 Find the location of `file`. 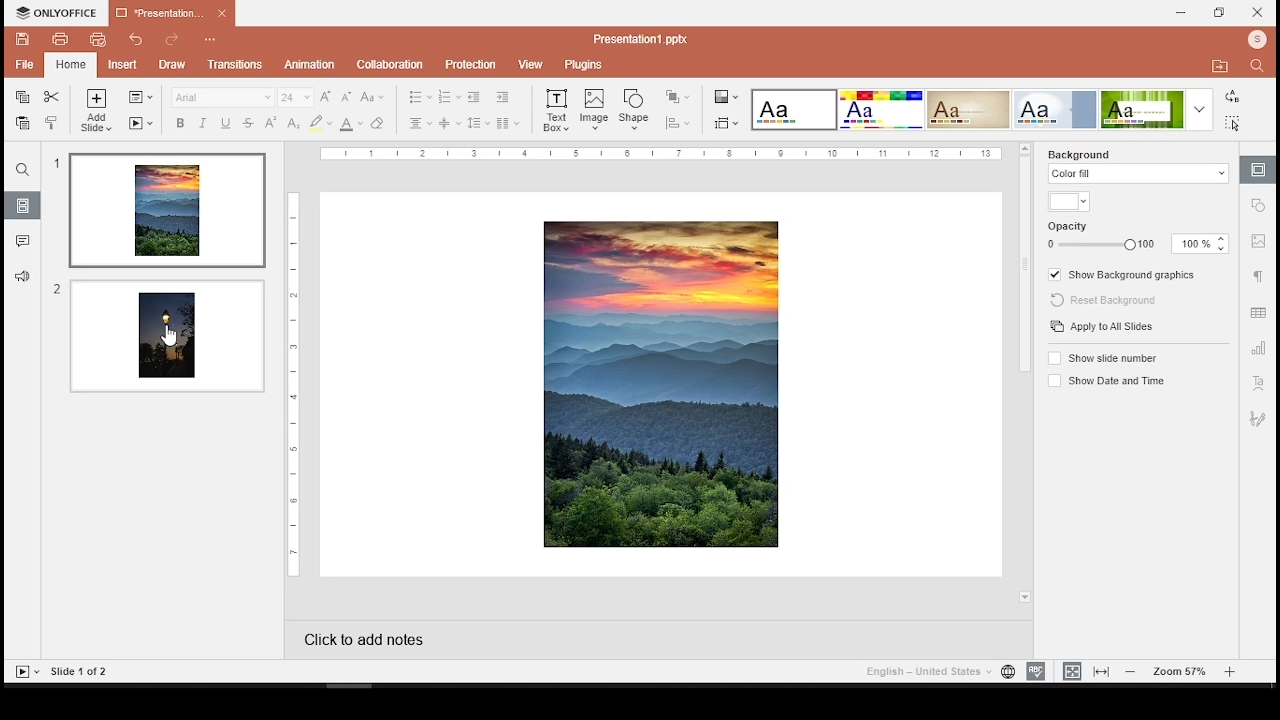

file is located at coordinates (21, 65).